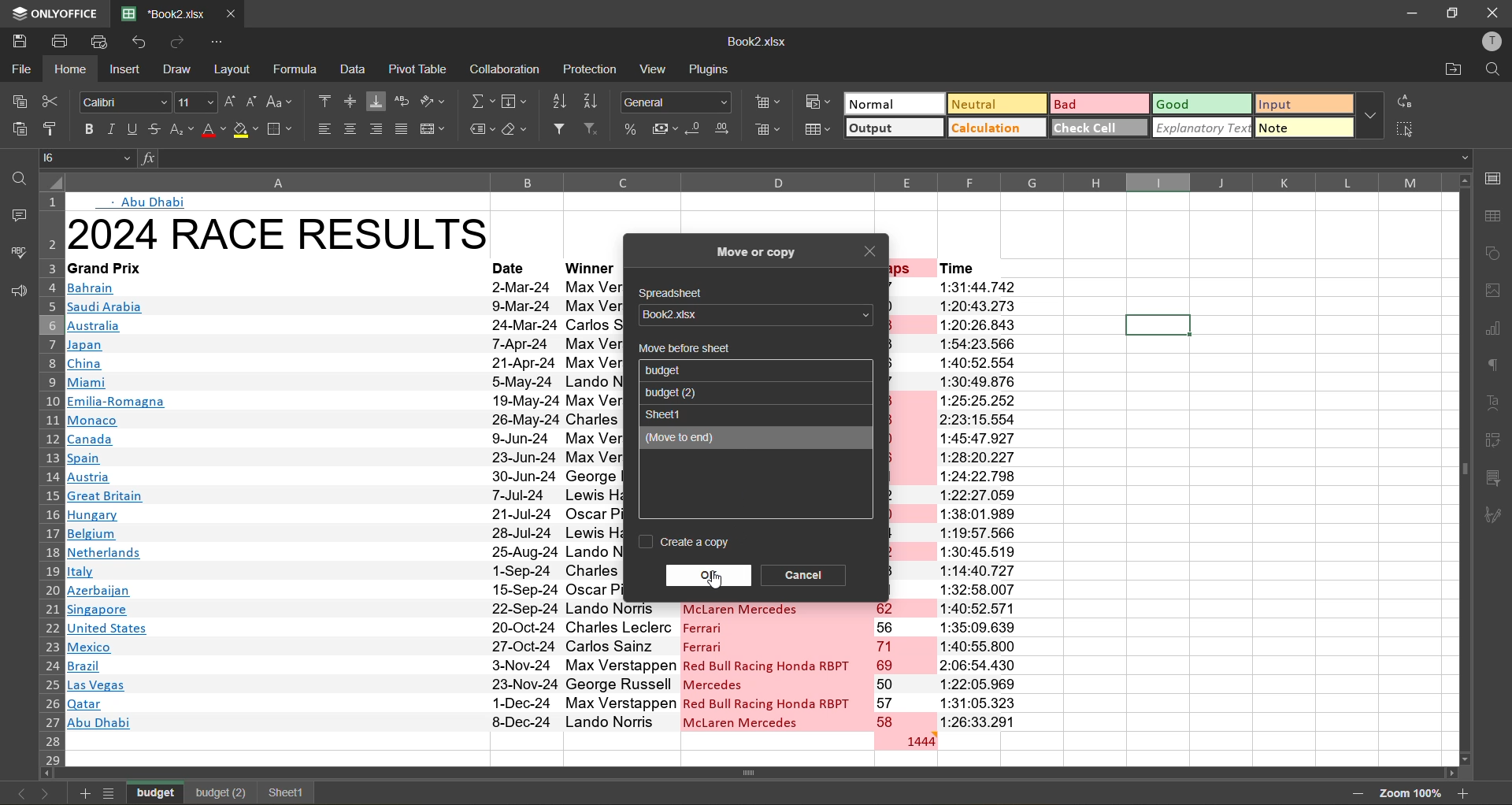 The width and height of the screenshot is (1512, 805). What do you see at coordinates (727, 129) in the screenshot?
I see `increase decimal` at bounding box center [727, 129].